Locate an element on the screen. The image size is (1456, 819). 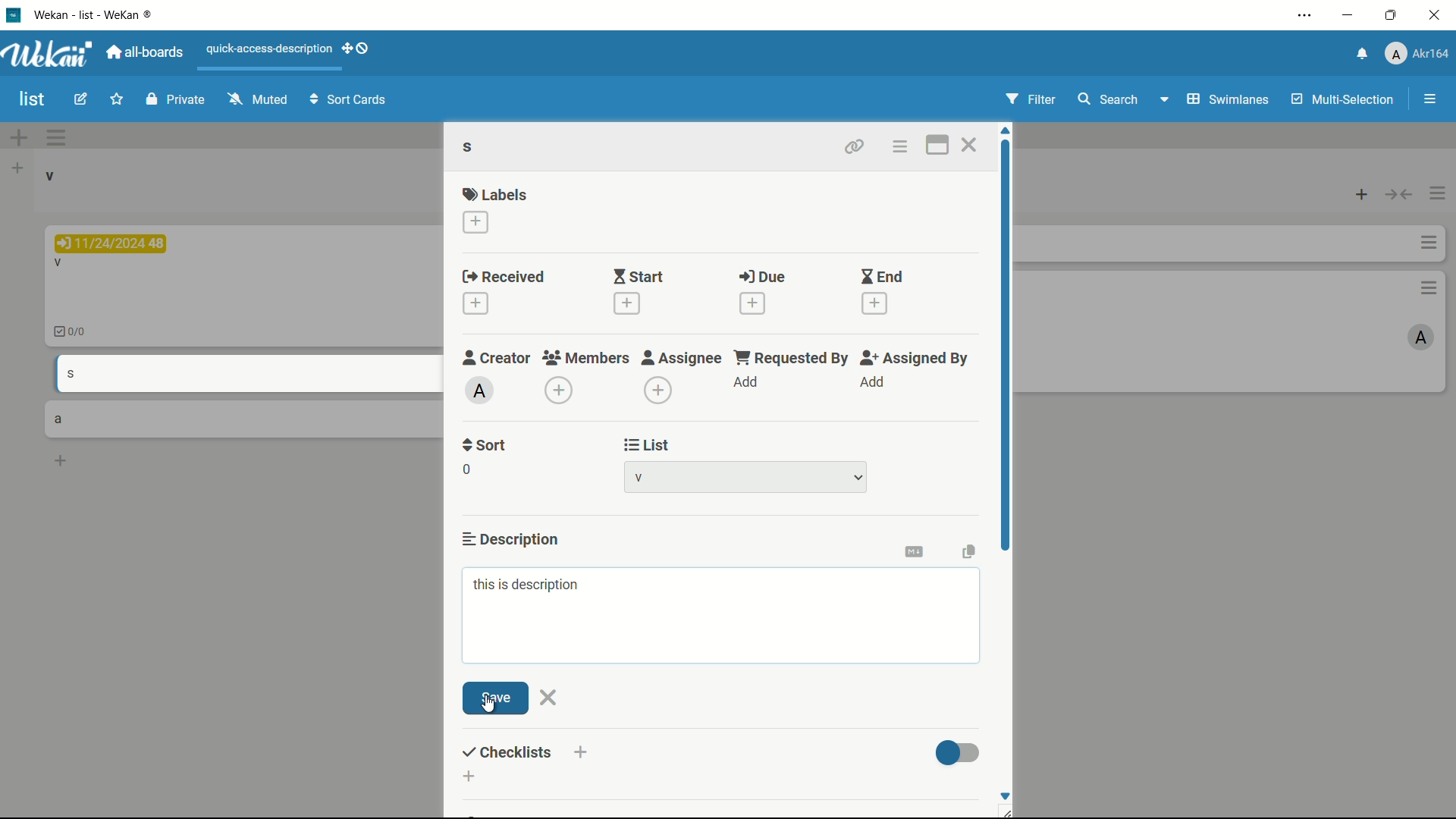
quick-access-description is located at coordinates (269, 49).